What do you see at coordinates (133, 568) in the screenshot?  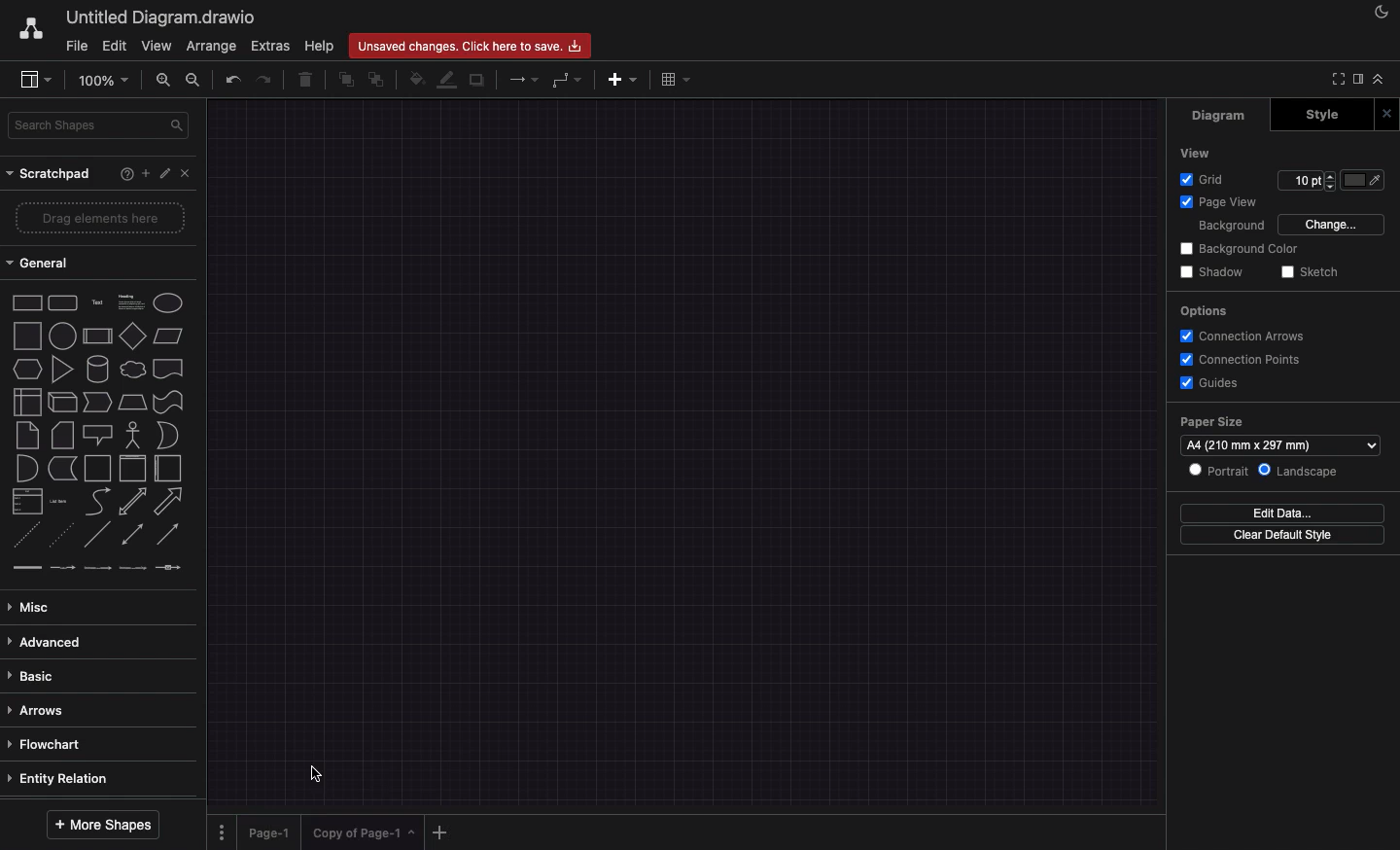 I see `connector with 3 labels` at bounding box center [133, 568].